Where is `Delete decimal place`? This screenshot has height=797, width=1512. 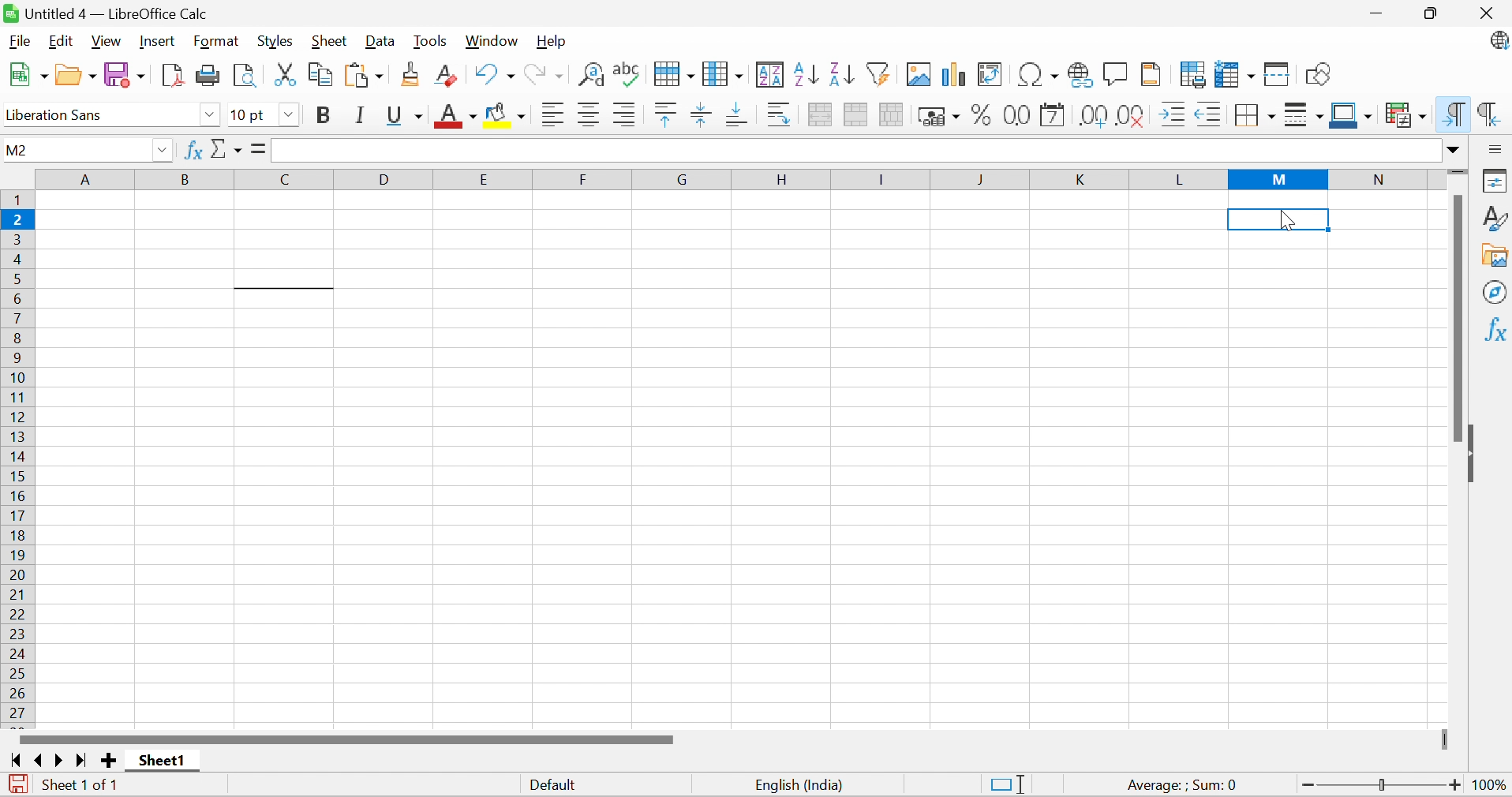
Delete decimal place is located at coordinates (1132, 115).